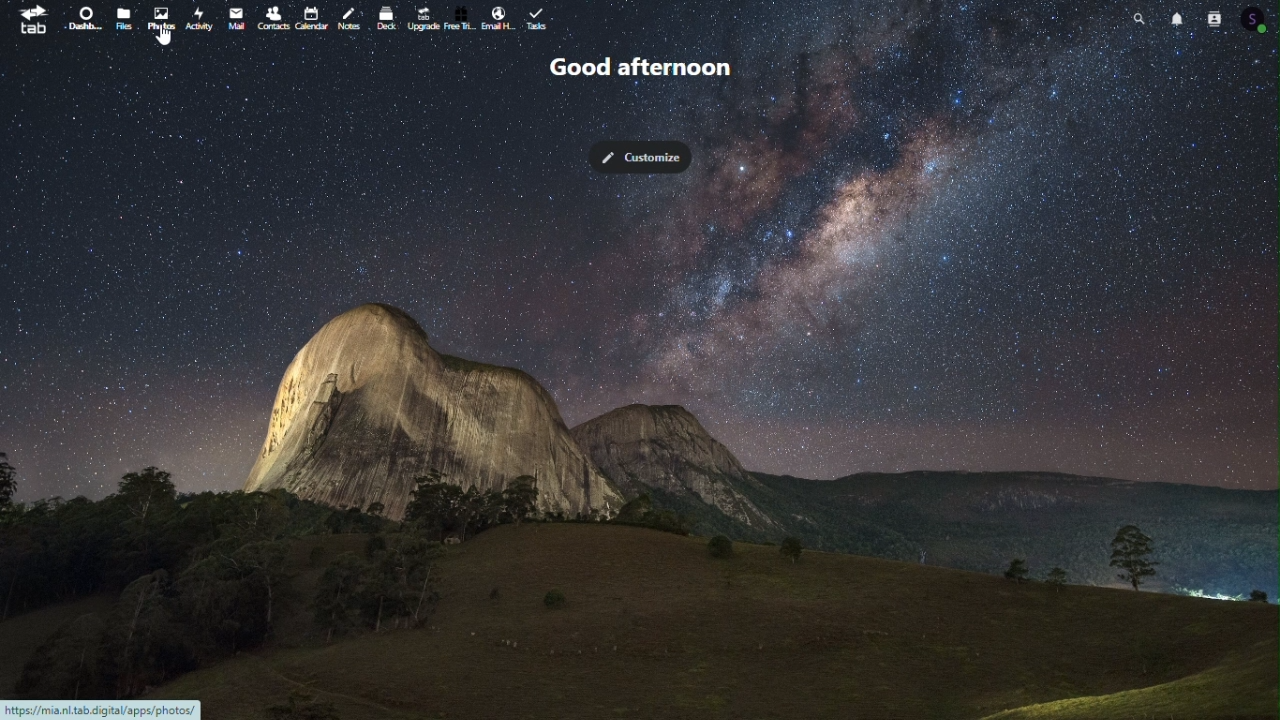 The image size is (1280, 720). I want to click on Customize, so click(648, 156).